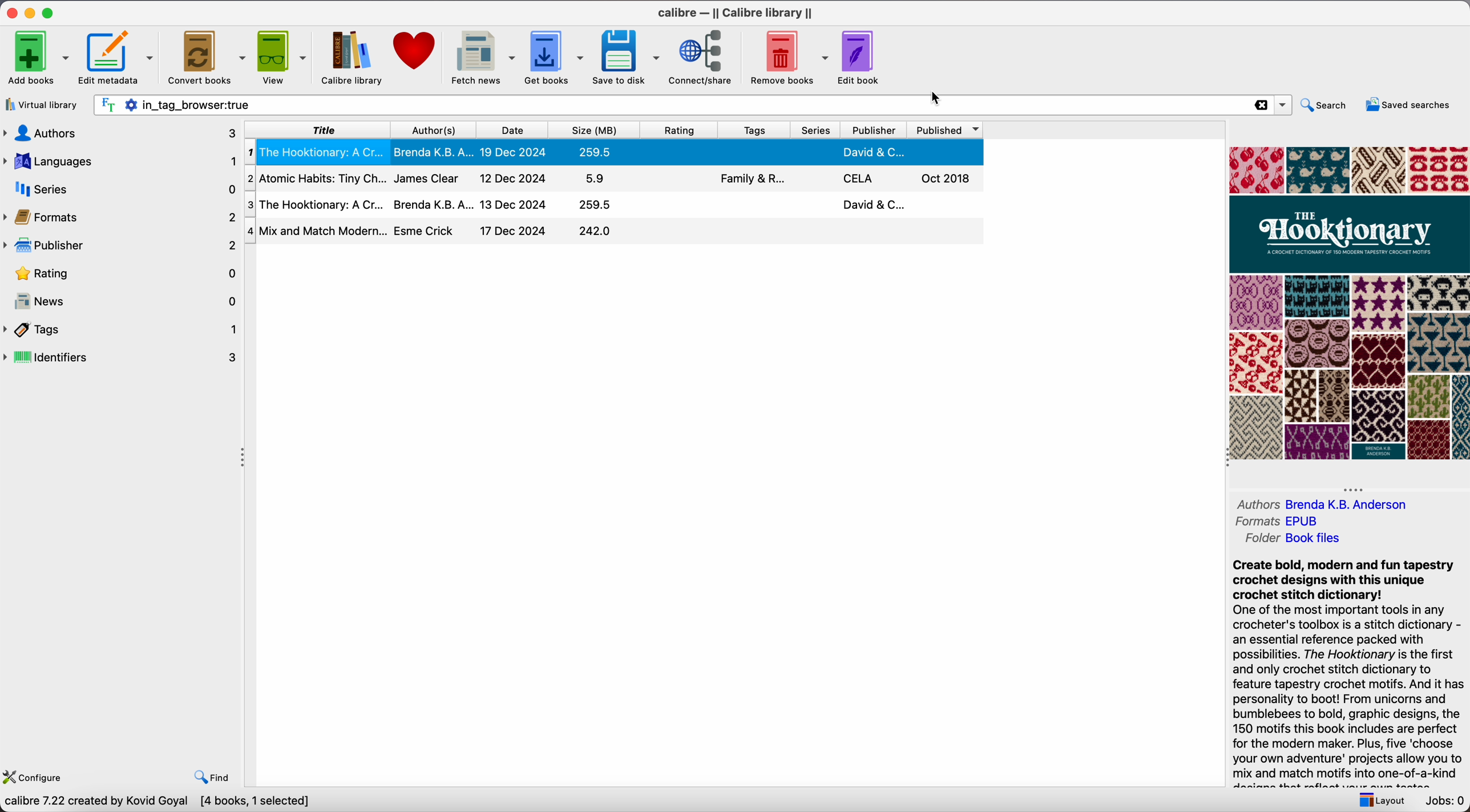 The height and width of the screenshot is (812, 1470). Describe the element at coordinates (664, 104) in the screenshot. I see `search bar` at that location.